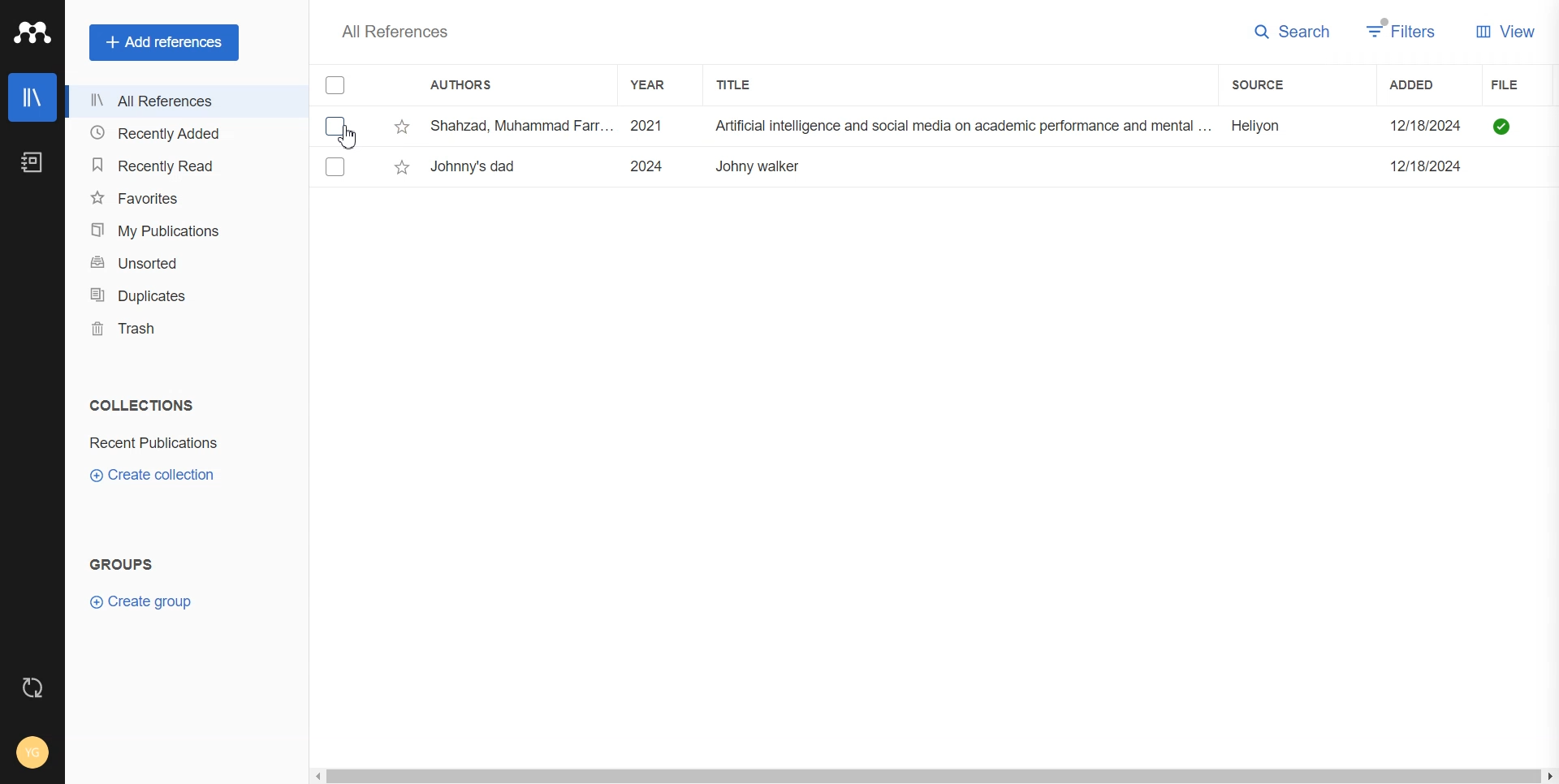 The height and width of the screenshot is (784, 1559). I want to click on View, so click(1505, 30).